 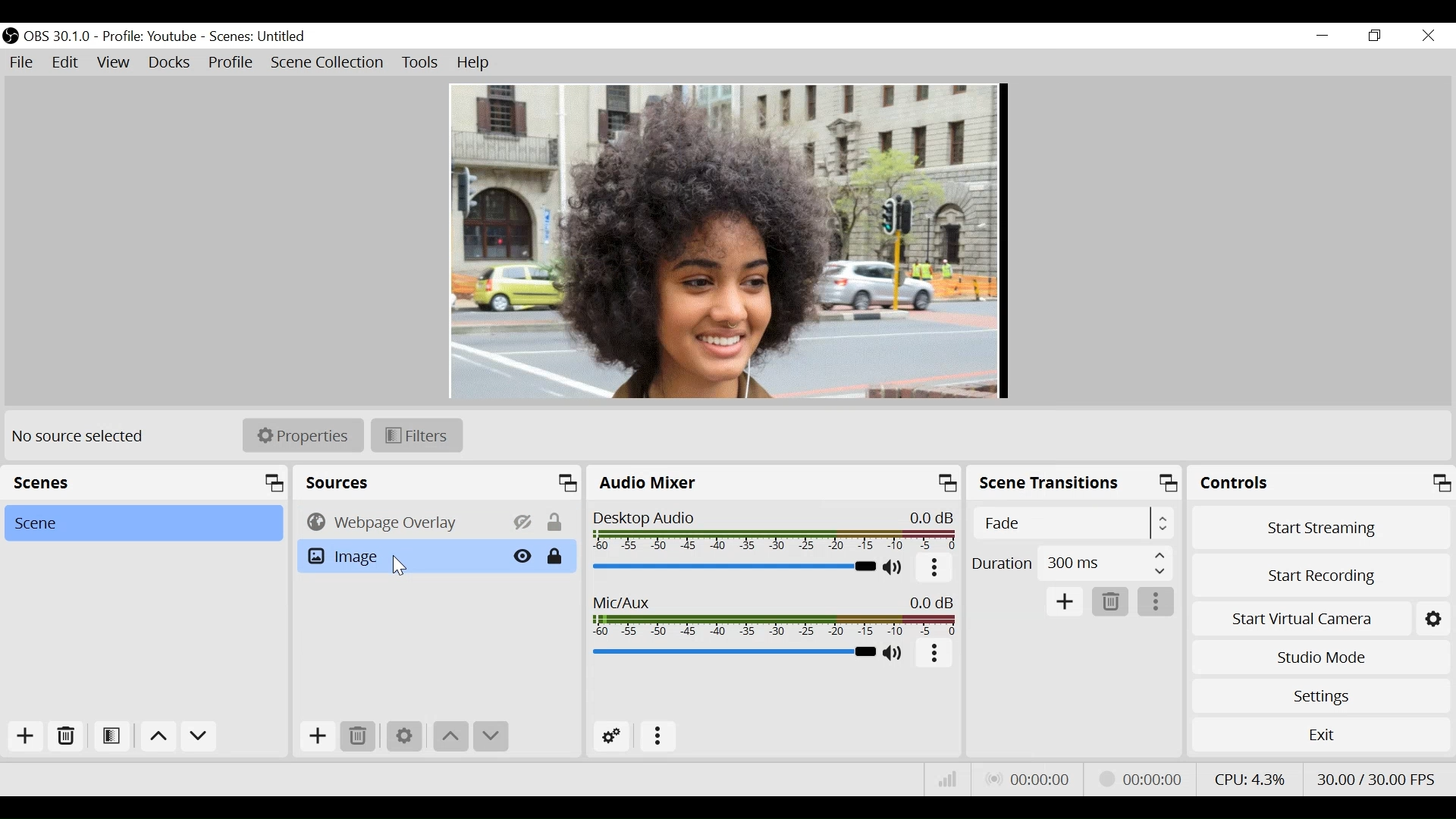 What do you see at coordinates (522, 555) in the screenshot?
I see `Hide/Display` at bounding box center [522, 555].